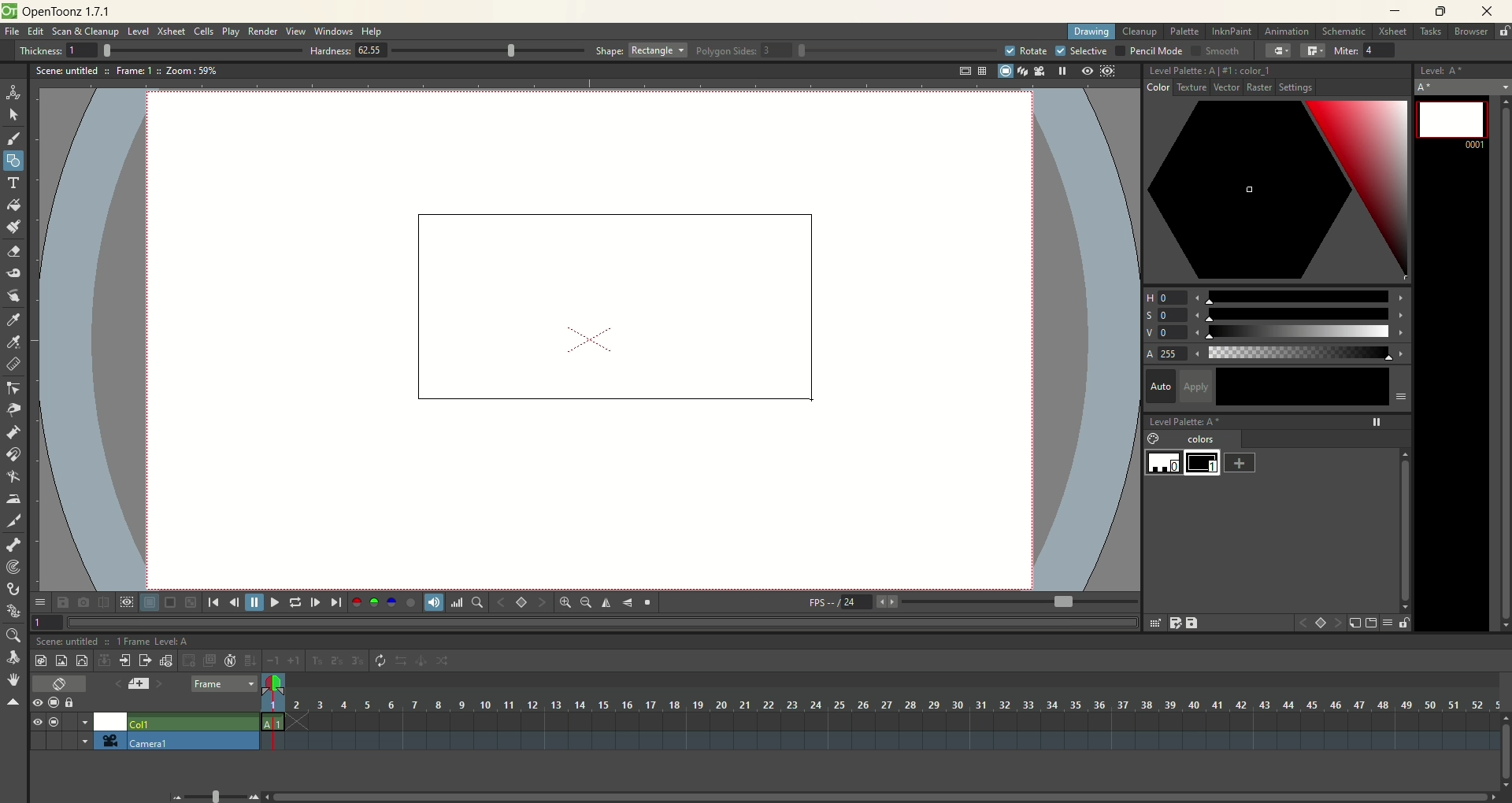 The height and width of the screenshot is (803, 1512). I want to click on collapse toolbar, so click(13, 703).